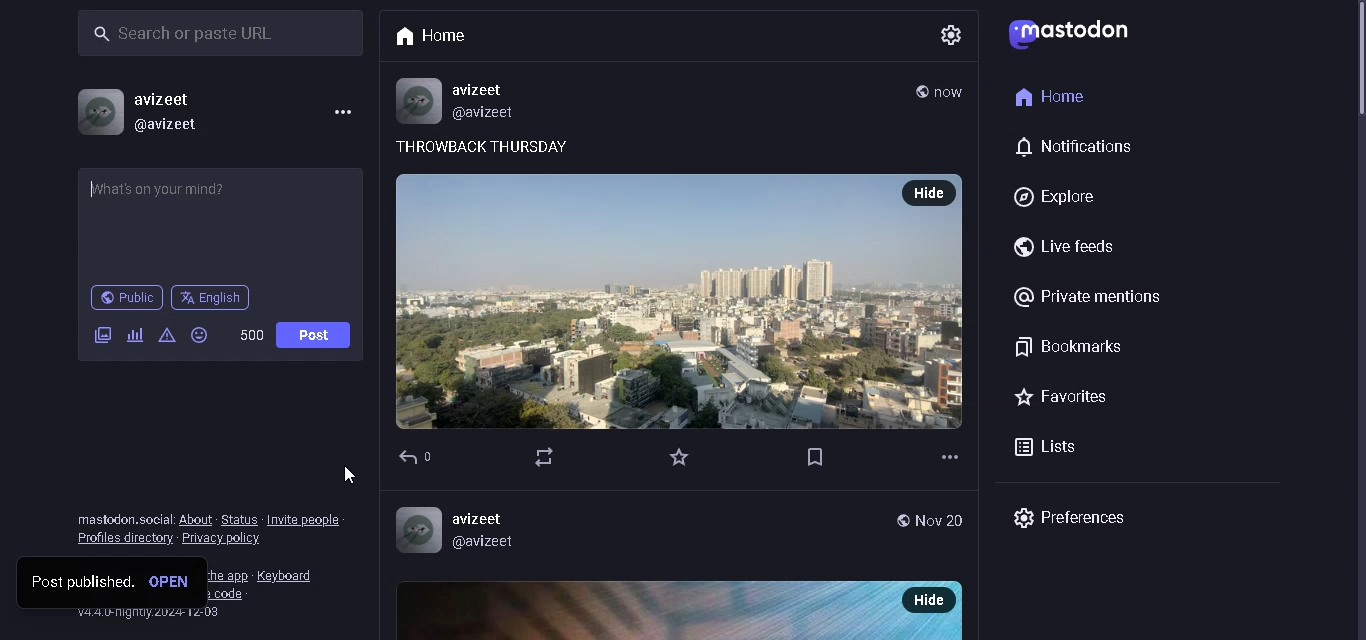 This screenshot has width=1366, height=640. What do you see at coordinates (483, 517) in the screenshot?
I see `avizeet` at bounding box center [483, 517].